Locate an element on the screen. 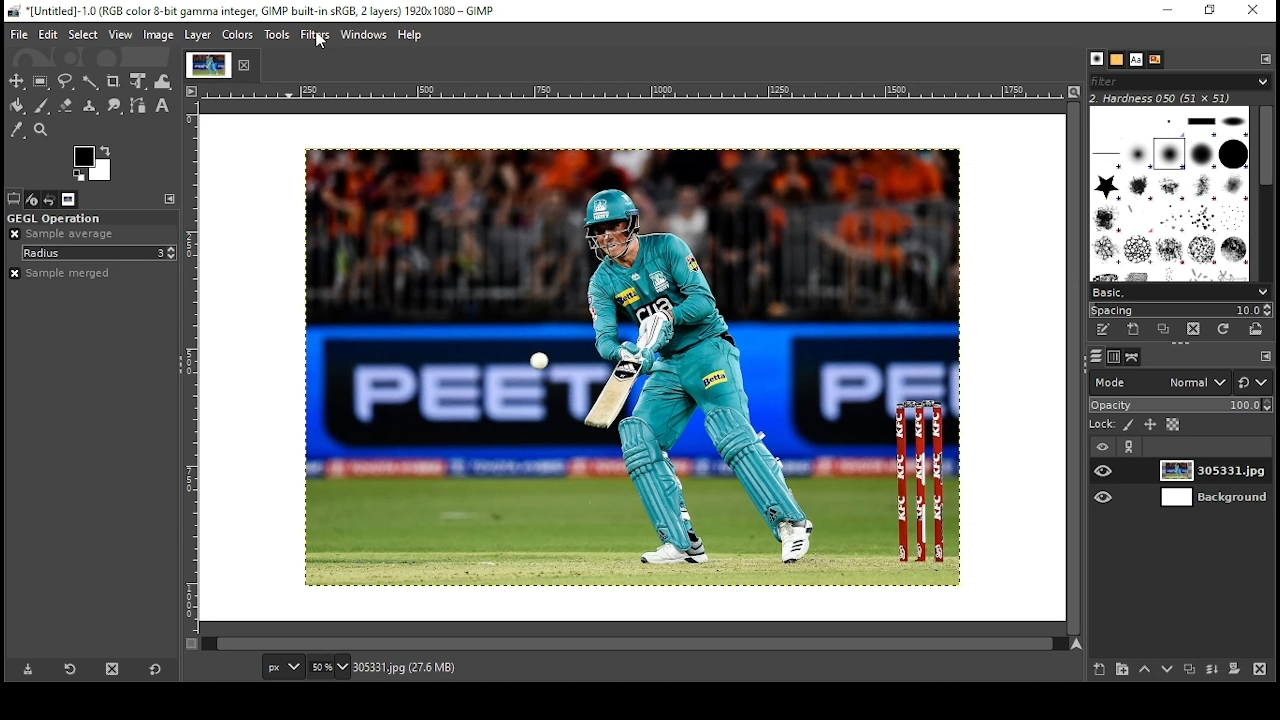 The width and height of the screenshot is (1280, 720). delete tool preset is located at coordinates (113, 669).